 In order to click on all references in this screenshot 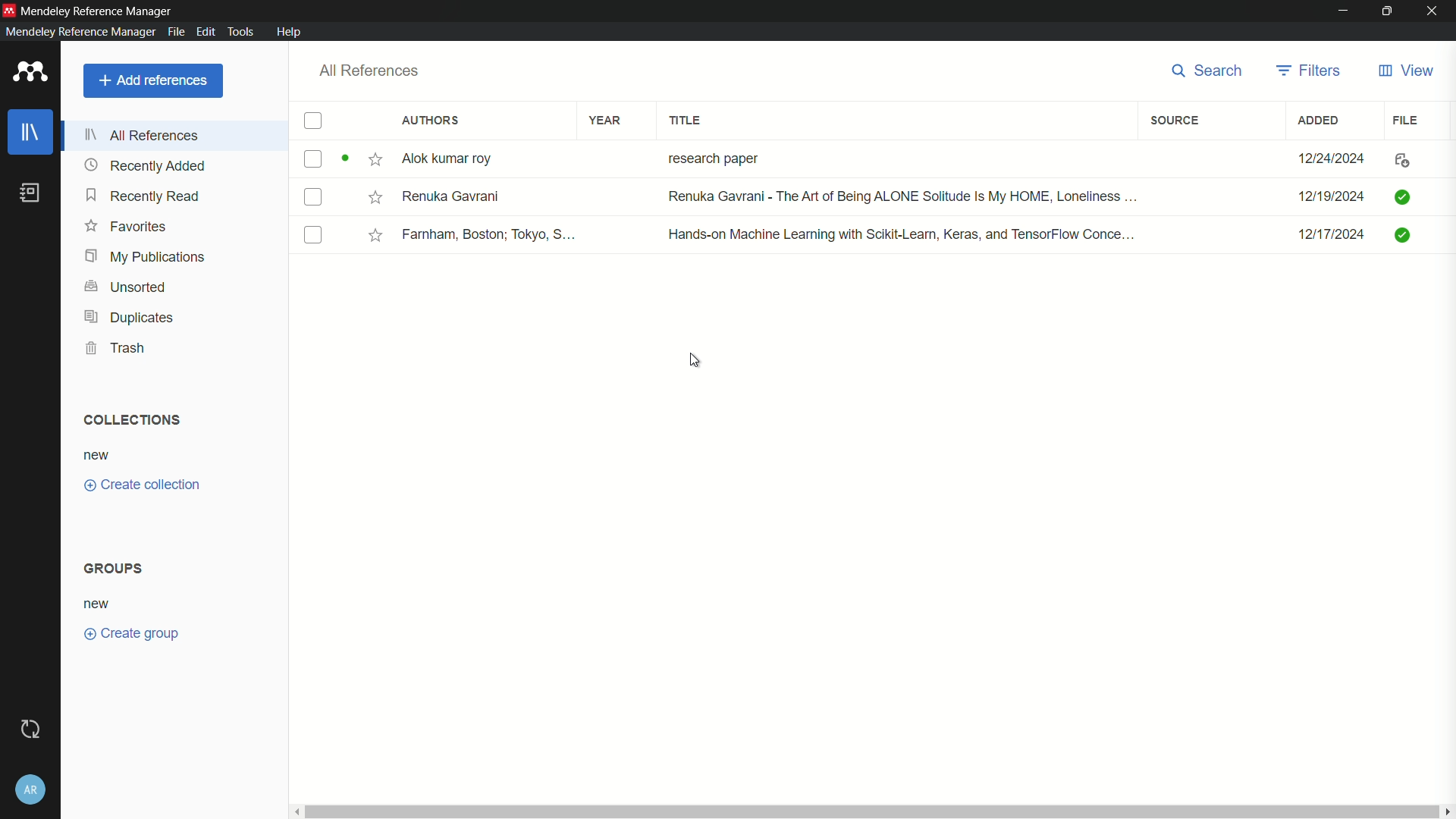, I will do `click(370, 71)`.